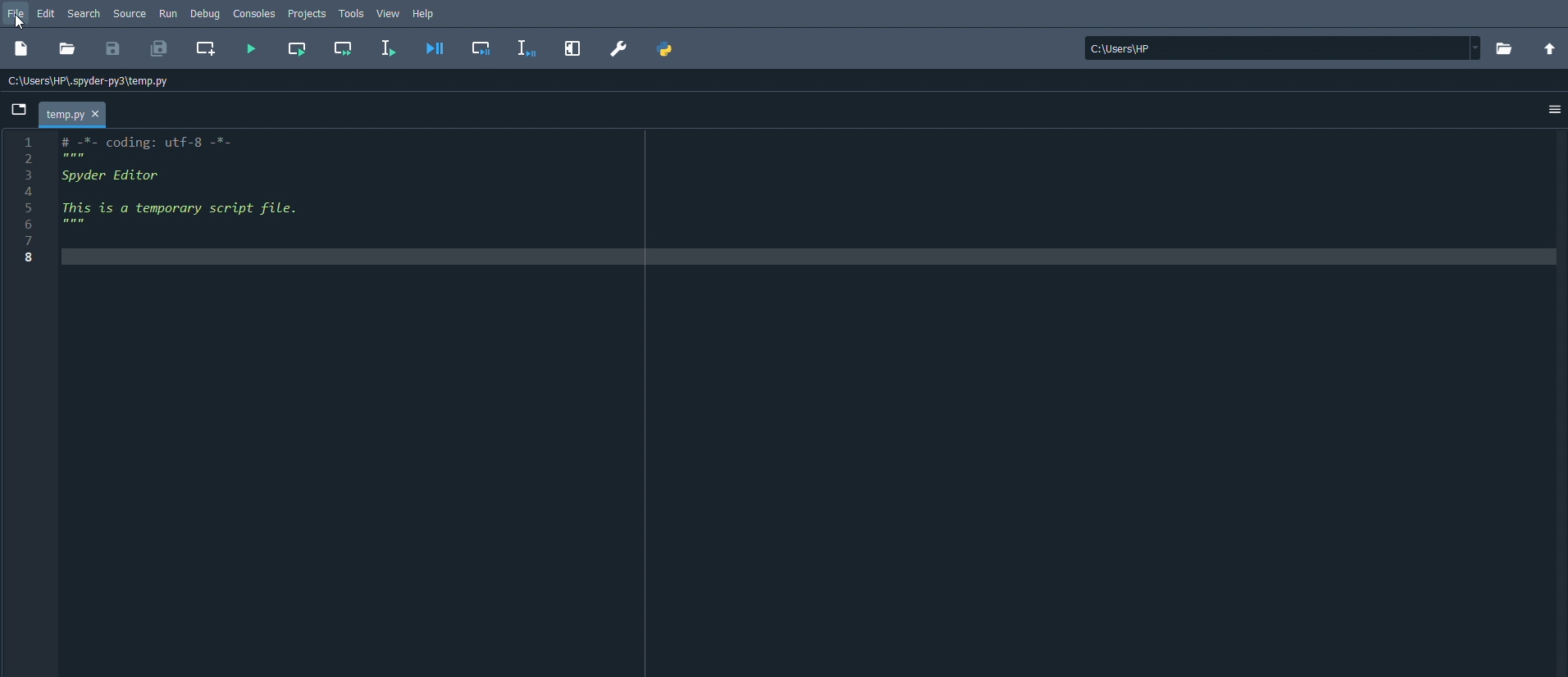  I want to click on Create new cell at the current line, so click(205, 49).